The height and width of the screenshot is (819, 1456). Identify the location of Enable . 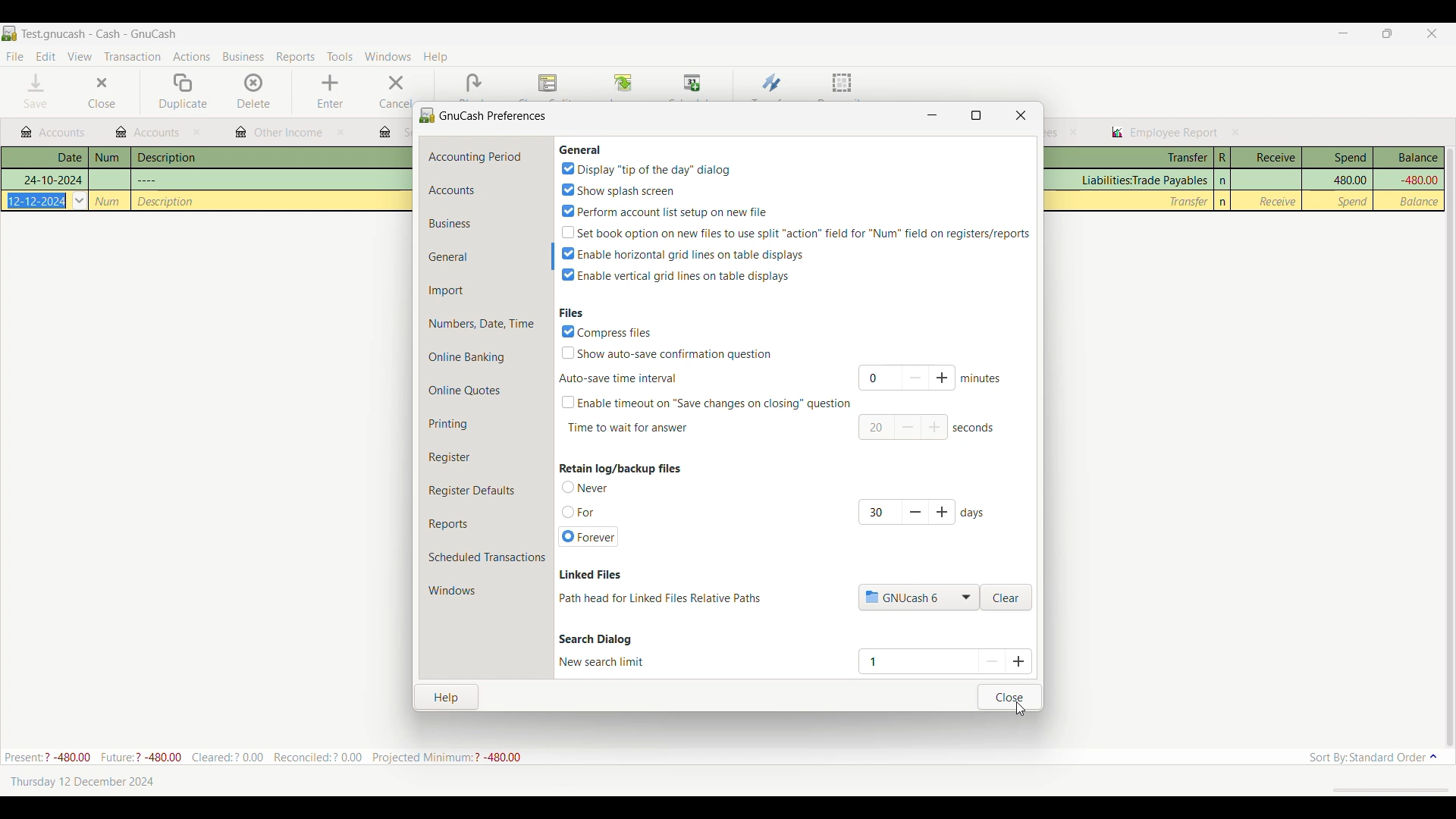
(676, 275).